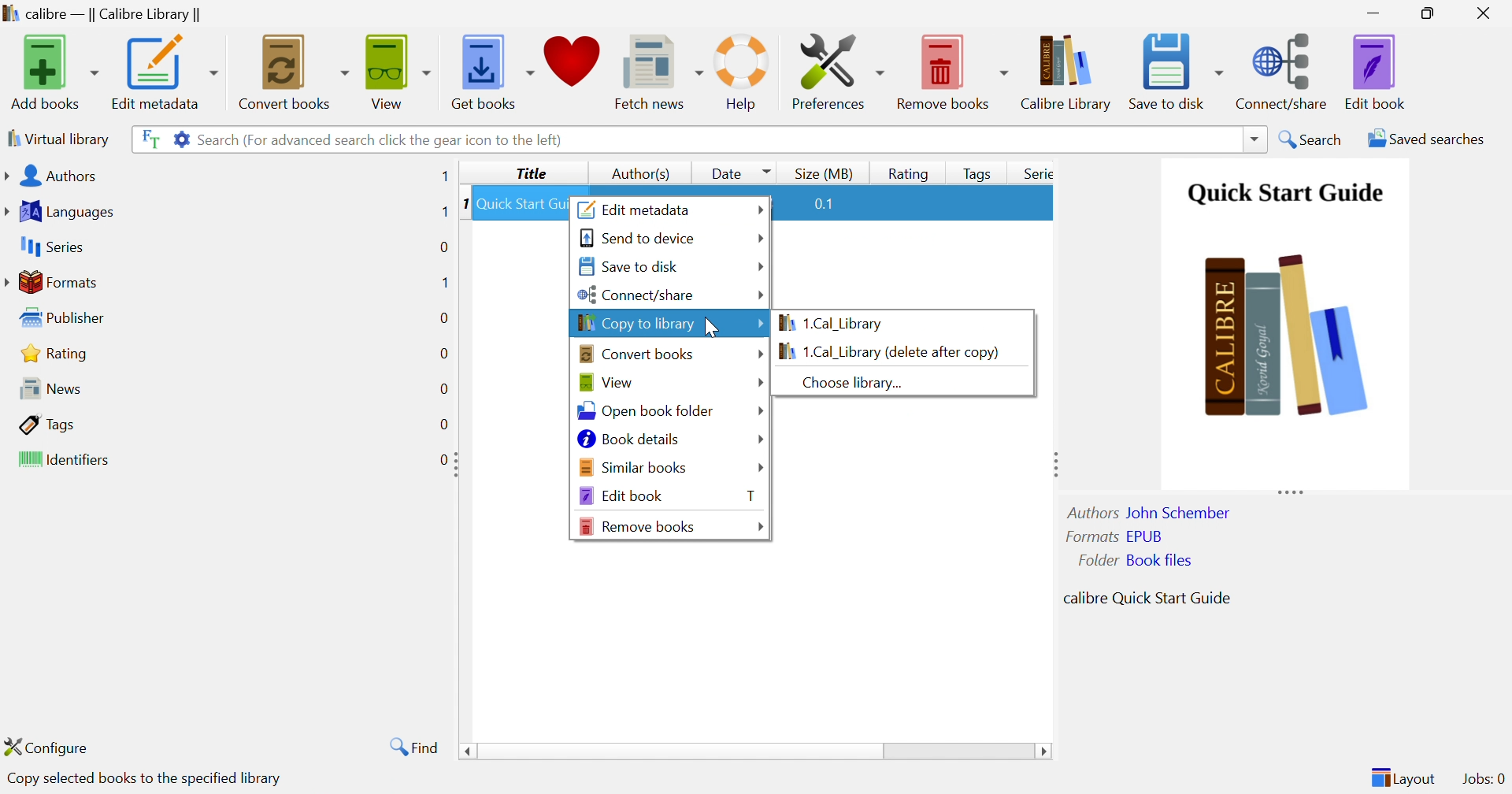  What do you see at coordinates (627, 438) in the screenshot?
I see `Book details` at bounding box center [627, 438].